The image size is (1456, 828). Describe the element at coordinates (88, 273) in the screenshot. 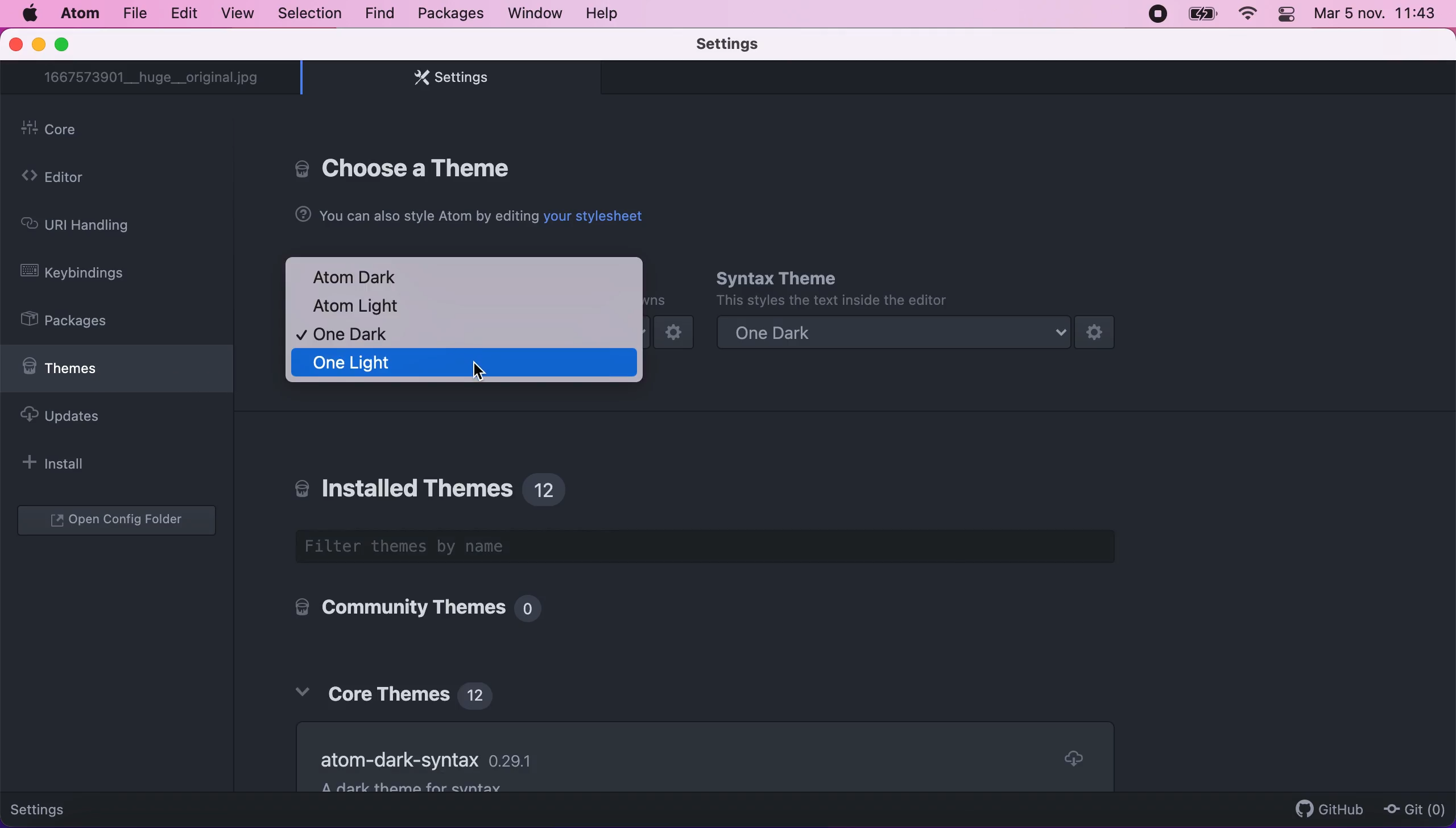

I see `keybindings` at that location.